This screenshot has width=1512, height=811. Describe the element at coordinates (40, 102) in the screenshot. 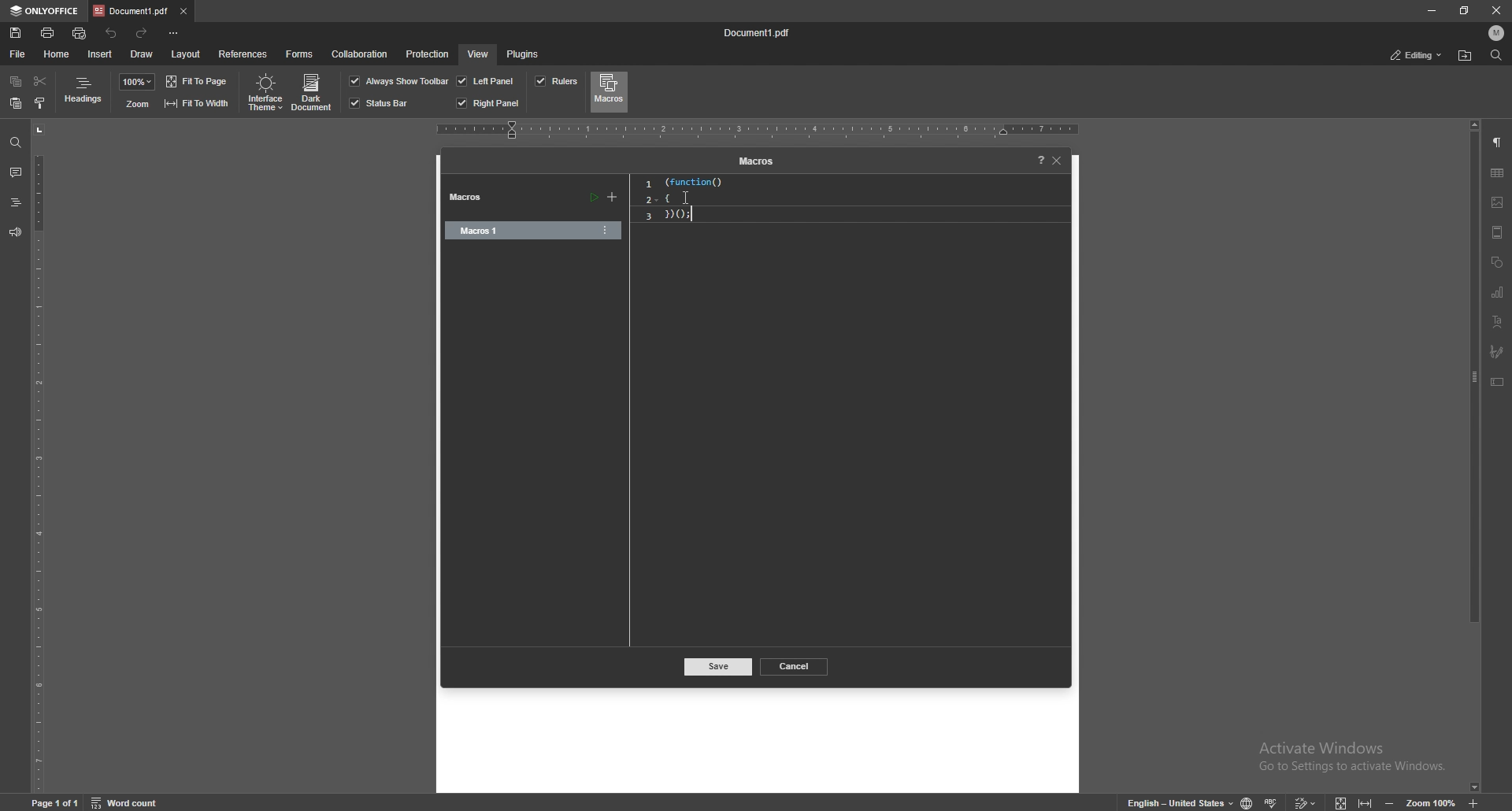

I see `copy style` at that location.